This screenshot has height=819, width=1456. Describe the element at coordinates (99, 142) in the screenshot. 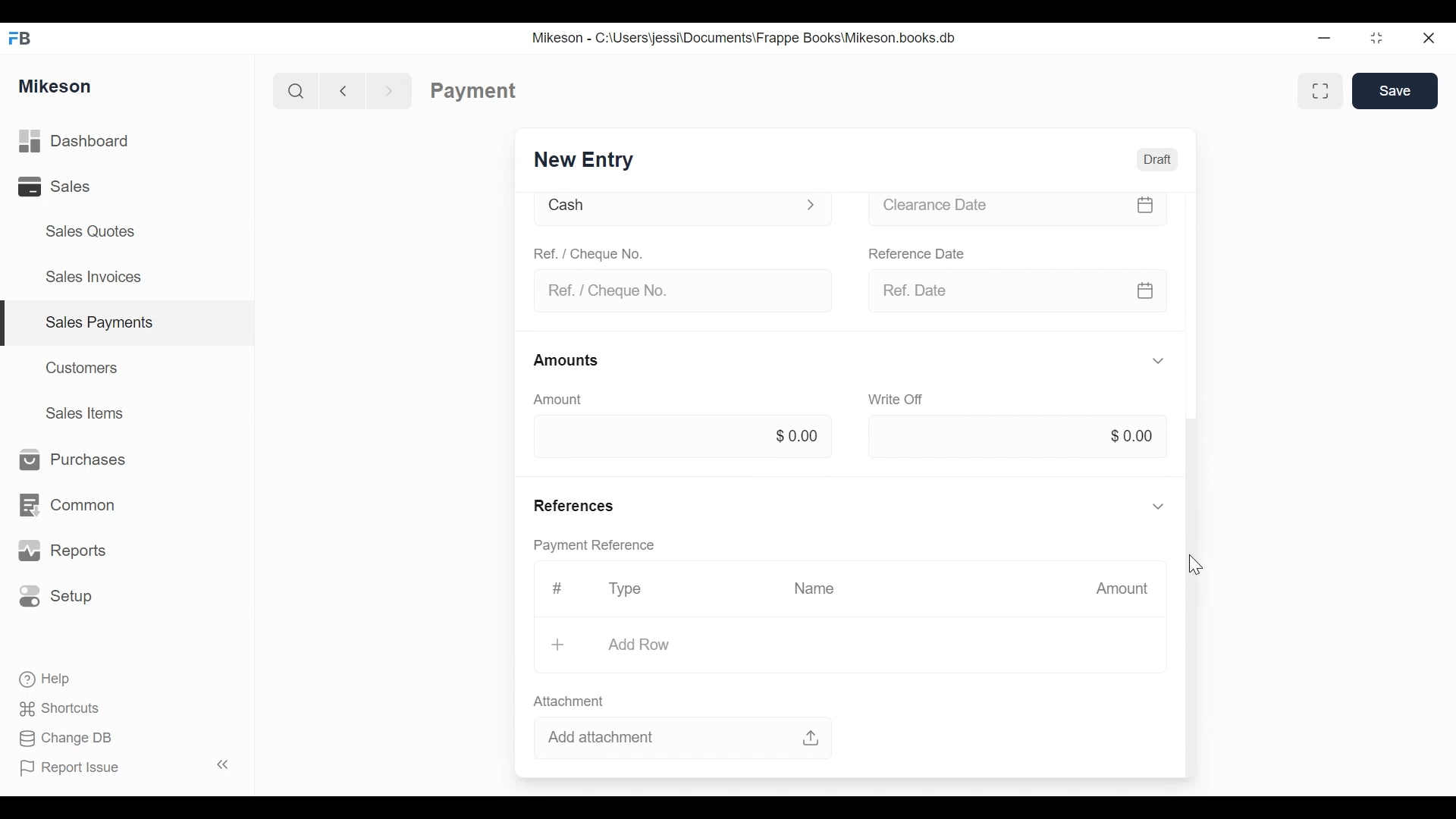

I see `Dashboard` at that location.